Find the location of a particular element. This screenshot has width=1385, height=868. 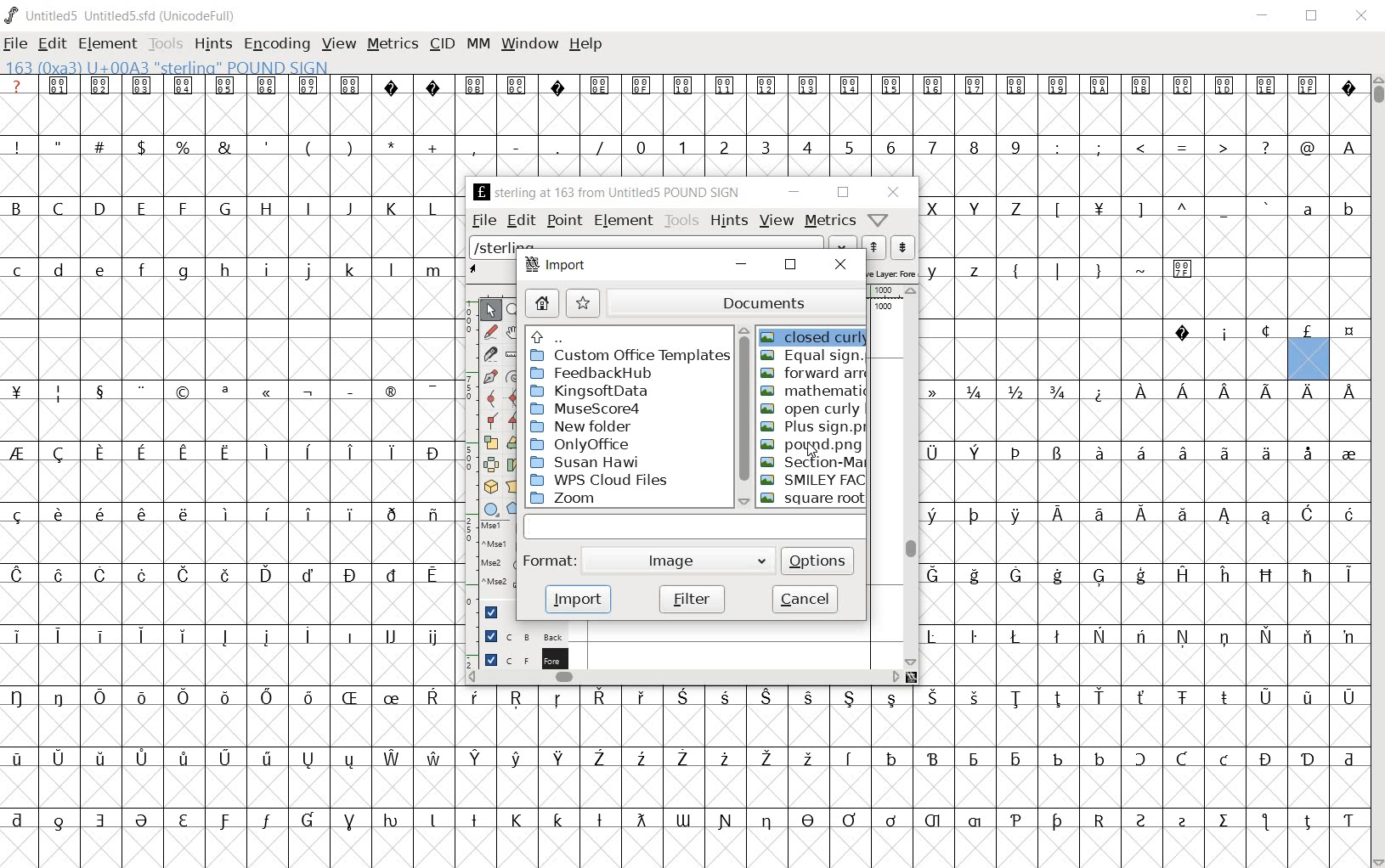

Symbol is located at coordinates (1141, 577).